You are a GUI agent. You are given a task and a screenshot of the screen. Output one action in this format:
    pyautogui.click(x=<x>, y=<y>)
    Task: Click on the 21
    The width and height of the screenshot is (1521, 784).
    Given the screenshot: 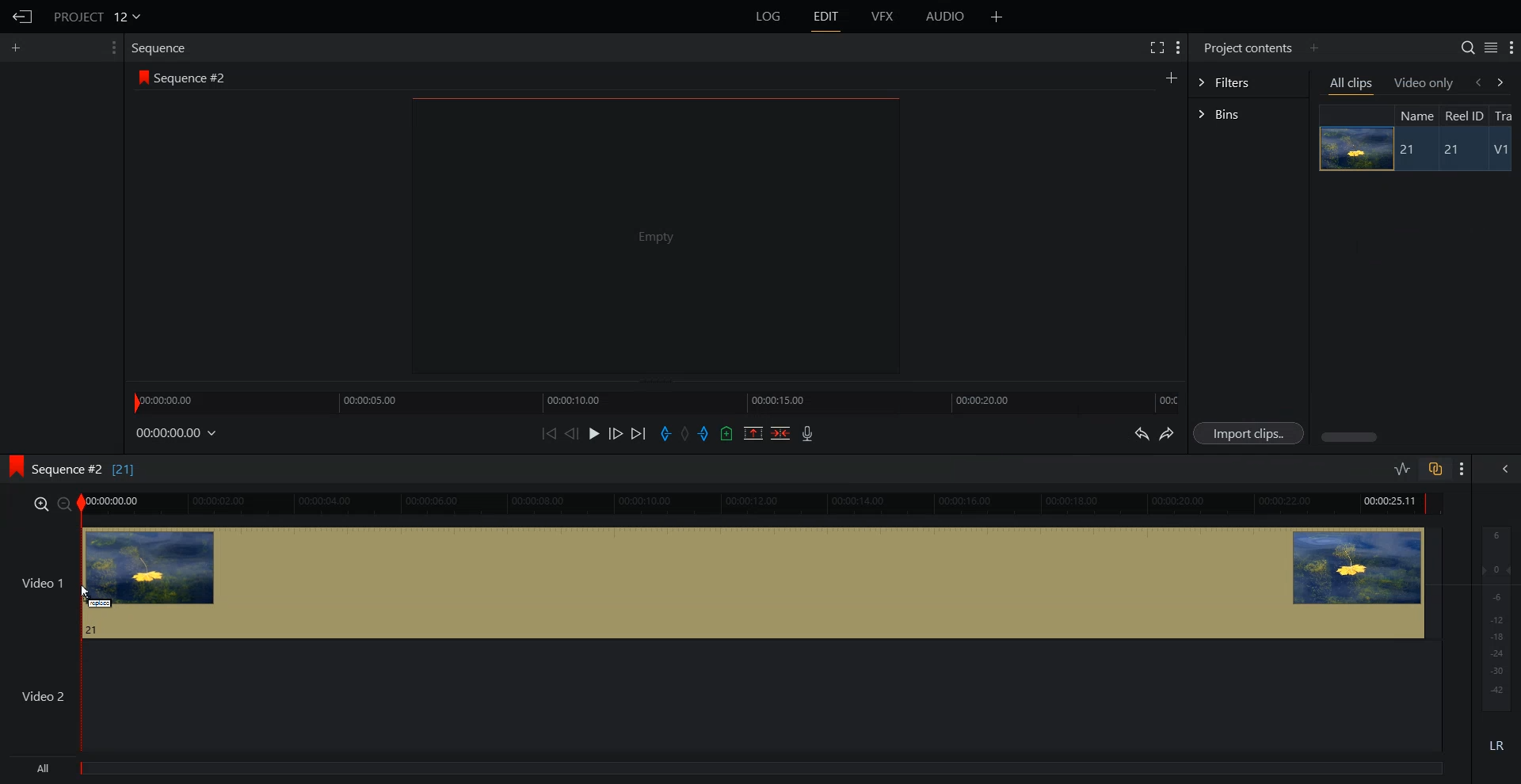 What is the action you would take?
    pyautogui.click(x=1410, y=150)
    